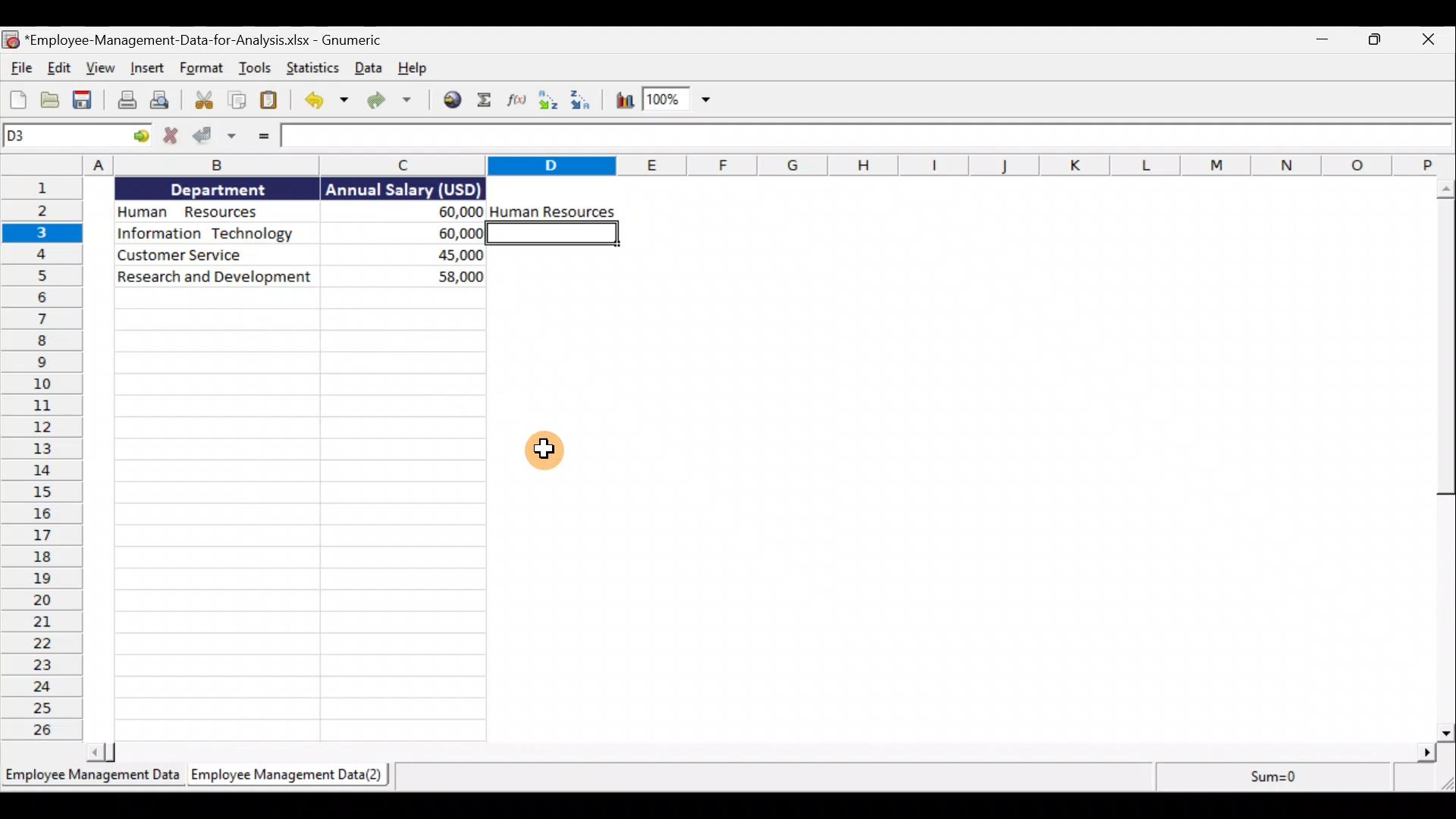 This screenshot has height=819, width=1456. Describe the element at coordinates (328, 102) in the screenshot. I see `Undo the last action` at that location.